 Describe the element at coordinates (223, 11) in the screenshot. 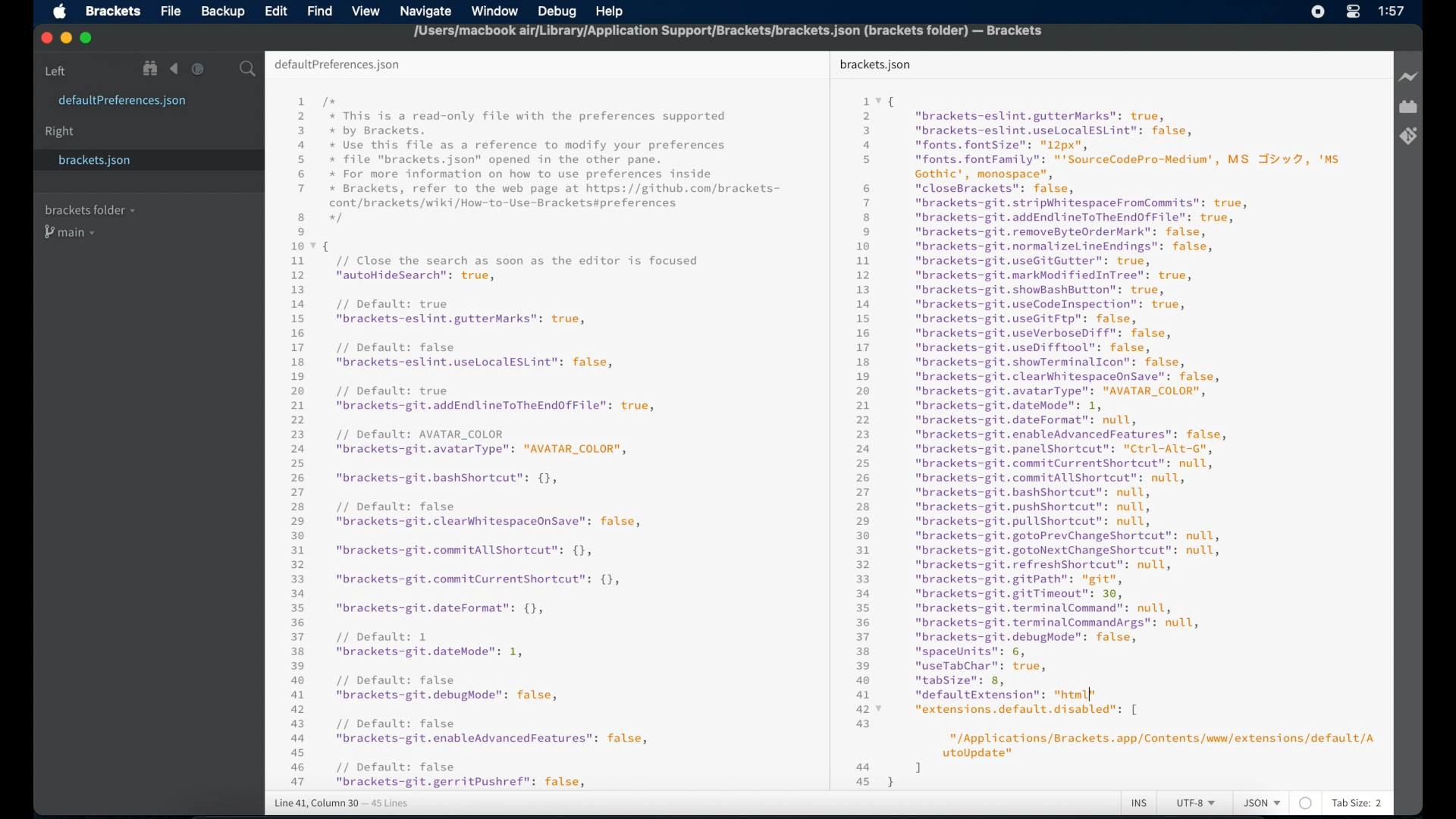

I see `backup` at that location.